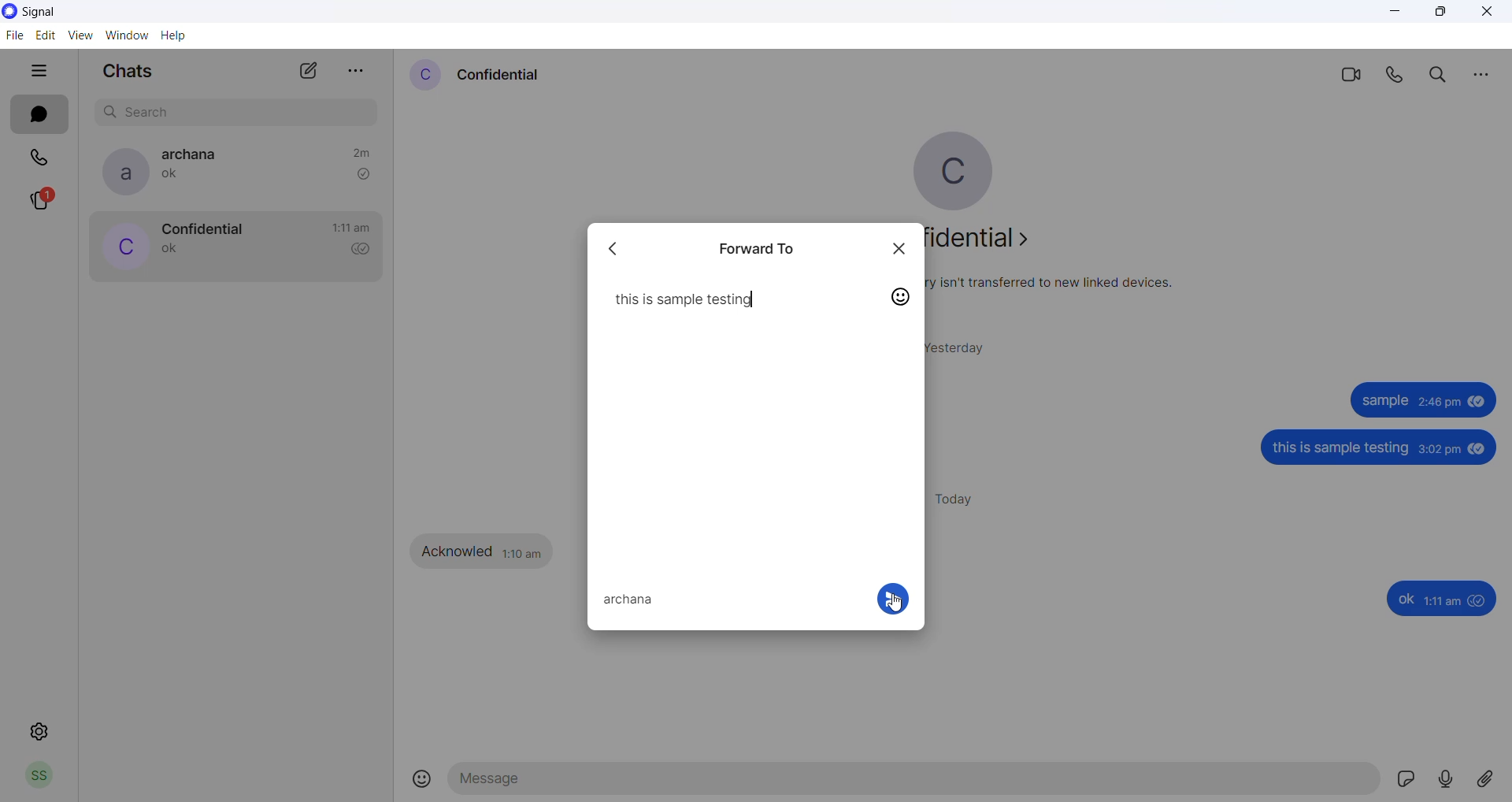 The width and height of the screenshot is (1512, 802). What do you see at coordinates (202, 228) in the screenshot?
I see `contact name` at bounding box center [202, 228].